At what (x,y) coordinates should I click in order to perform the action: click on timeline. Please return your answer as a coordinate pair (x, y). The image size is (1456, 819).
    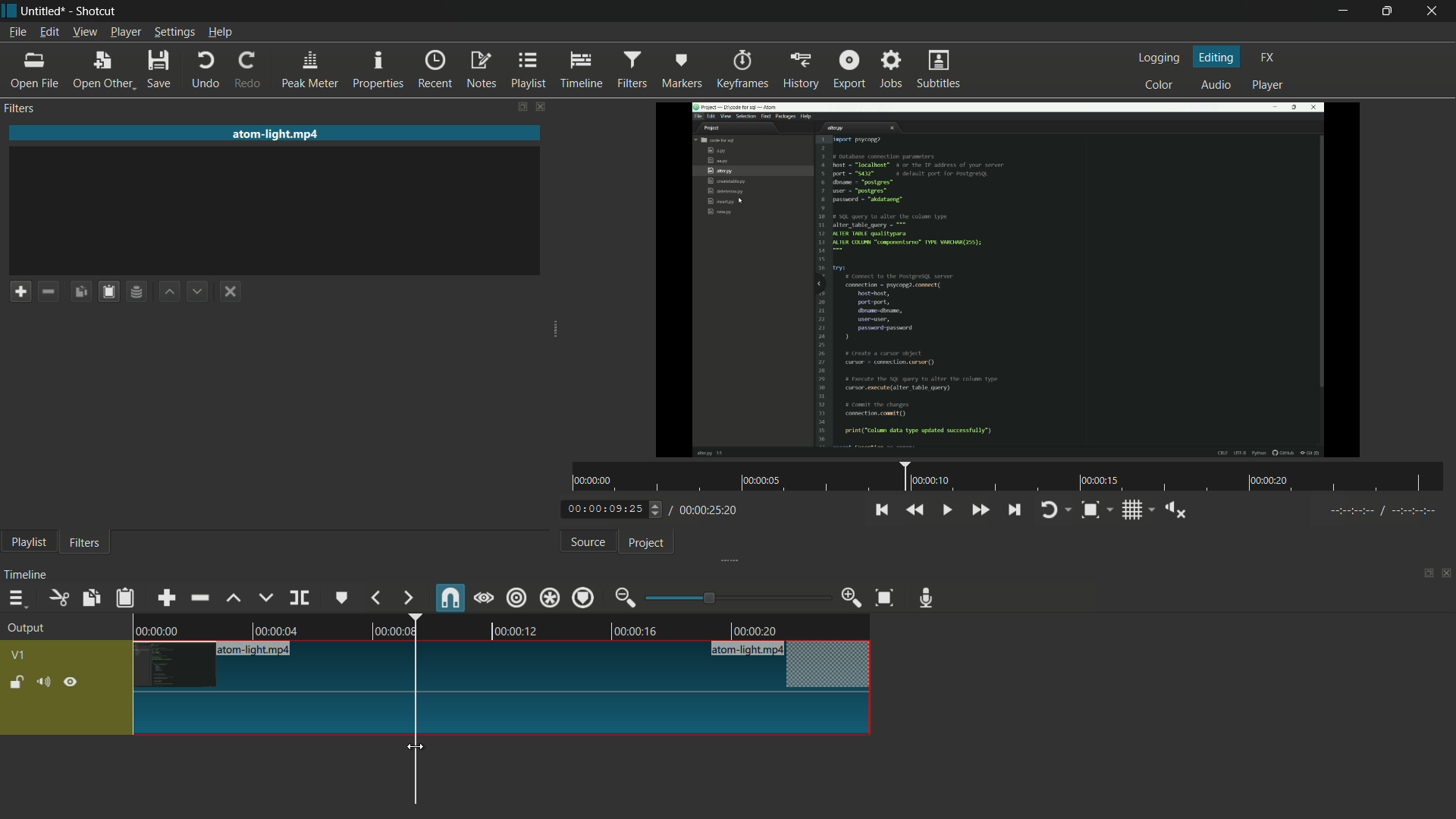
    Looking at the image, I should click on (28, 575).